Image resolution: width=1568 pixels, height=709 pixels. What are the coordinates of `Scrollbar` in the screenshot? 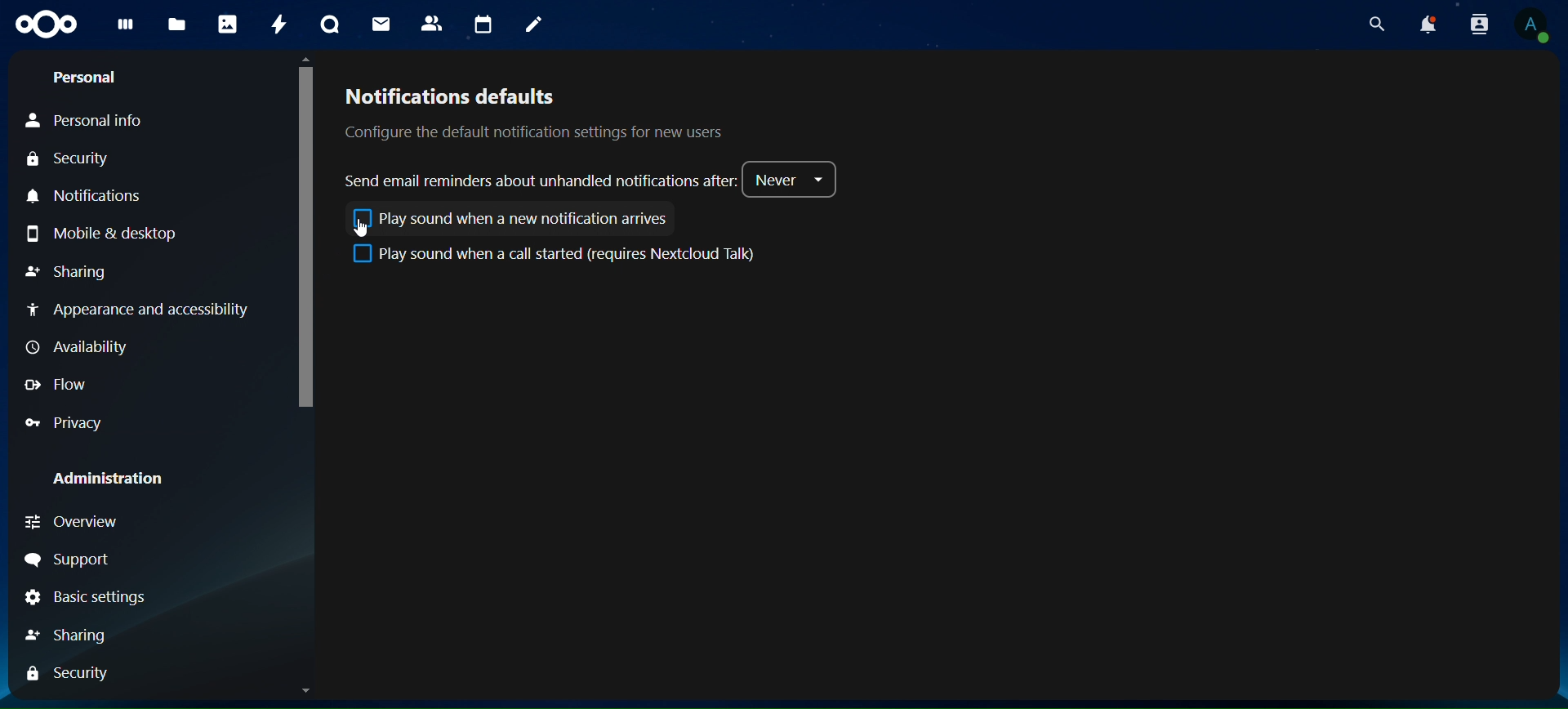 It's located at (1548, 377).